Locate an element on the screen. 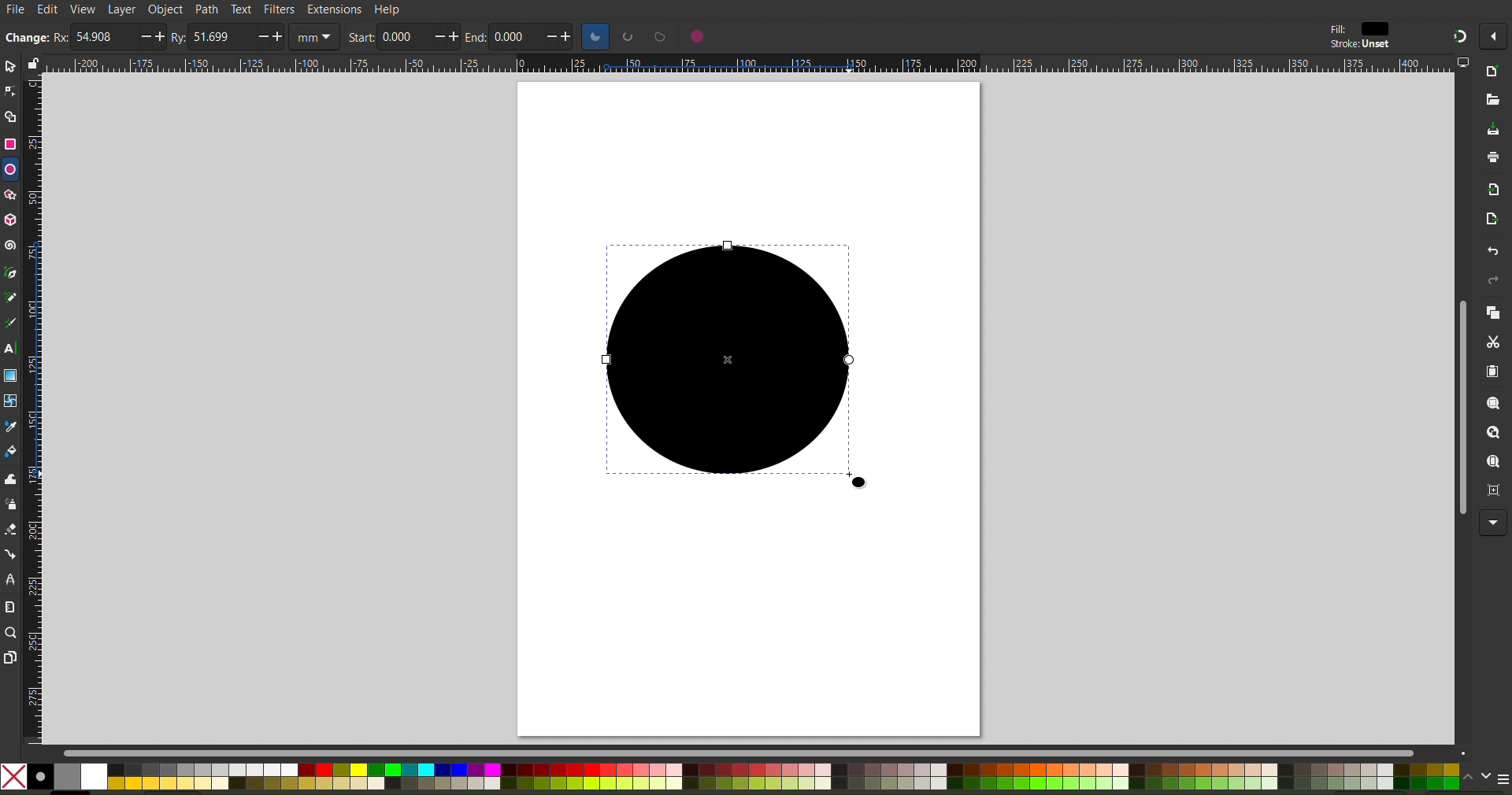  start is located at coordinates (359, 39).